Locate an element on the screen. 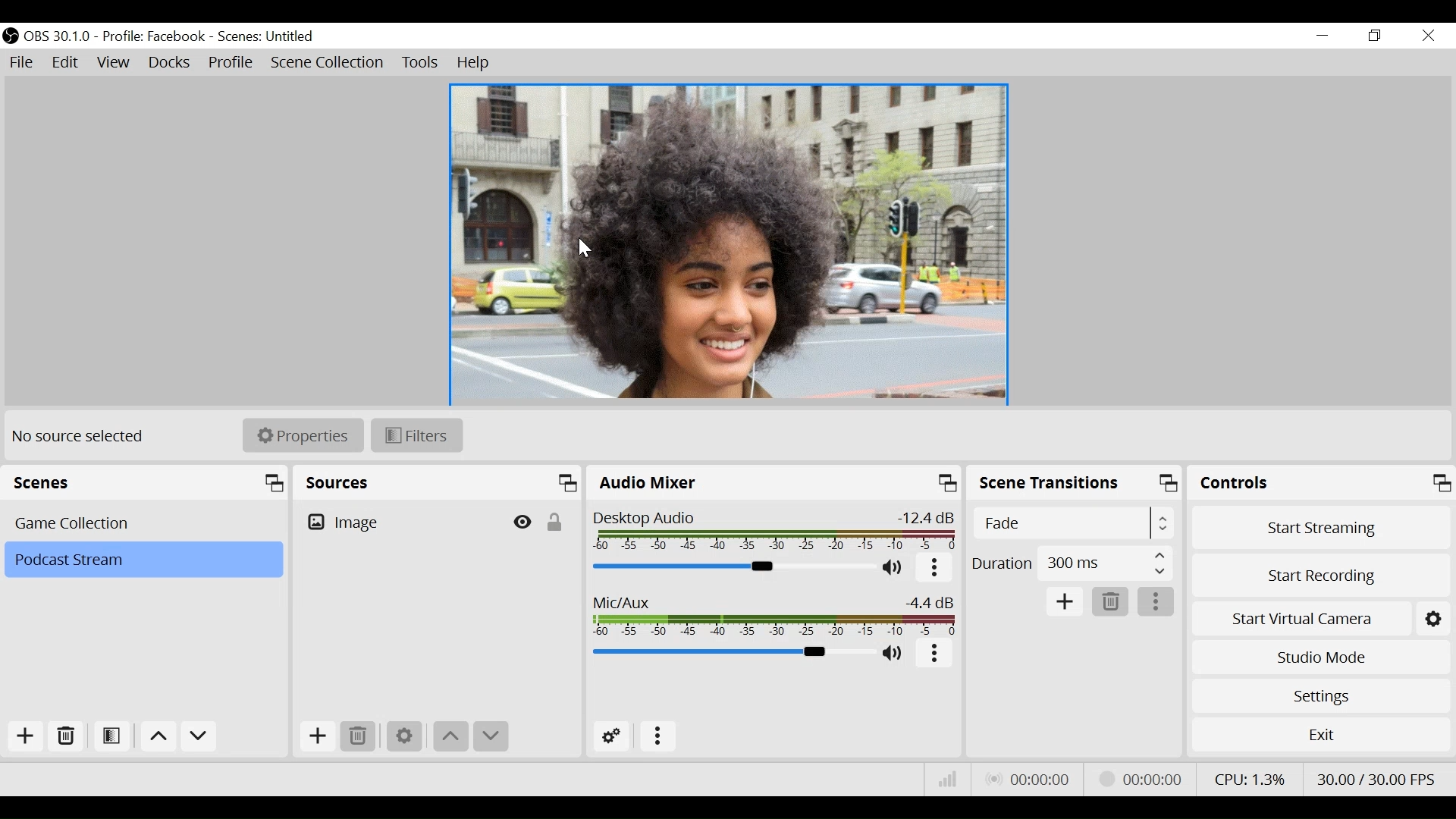 This screenshot has width=1456, height=819. Restore is located at coordinates (1375, 36).